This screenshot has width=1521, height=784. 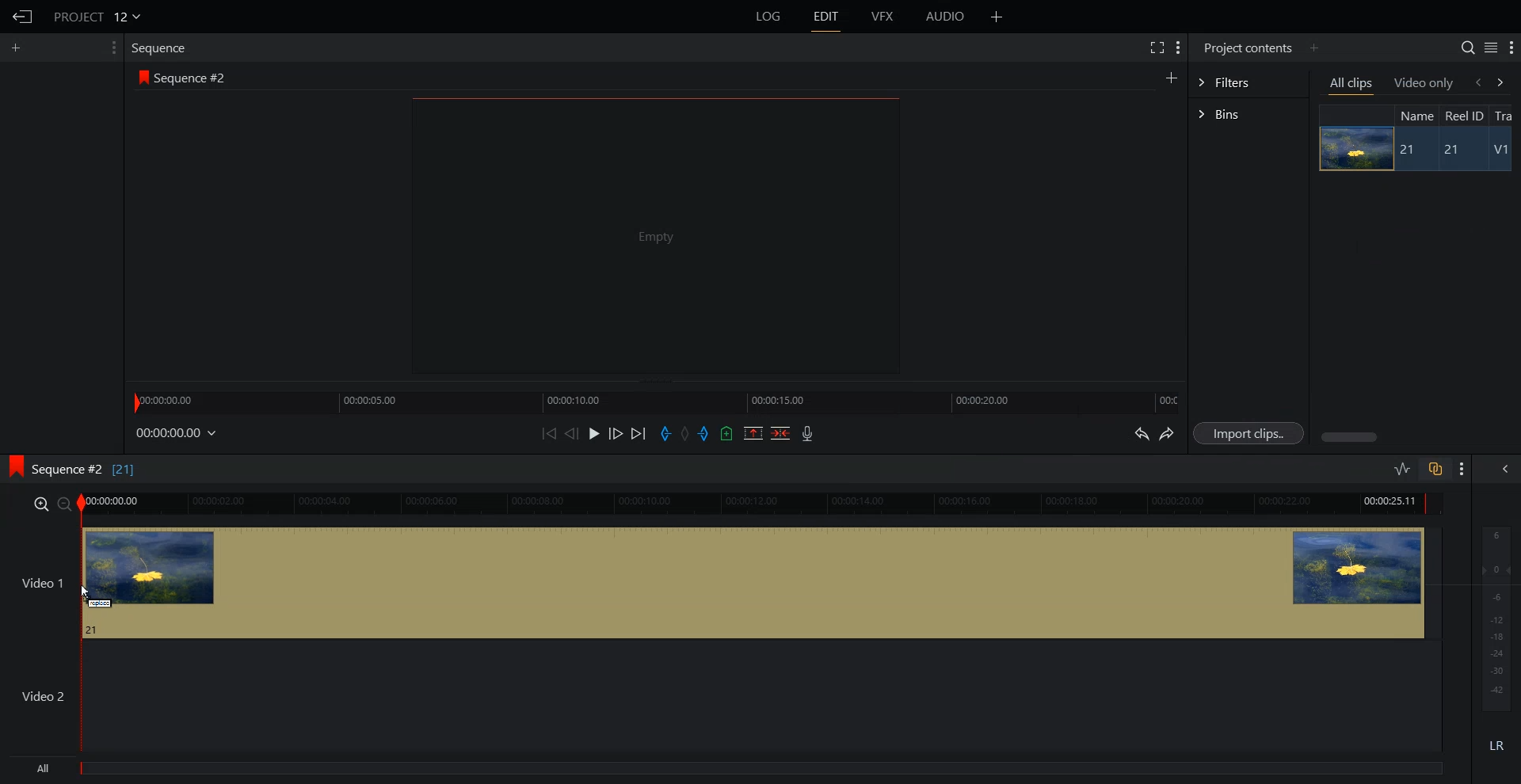 I want to click on Add an Cue at the current position, so click(x=726, y=433).